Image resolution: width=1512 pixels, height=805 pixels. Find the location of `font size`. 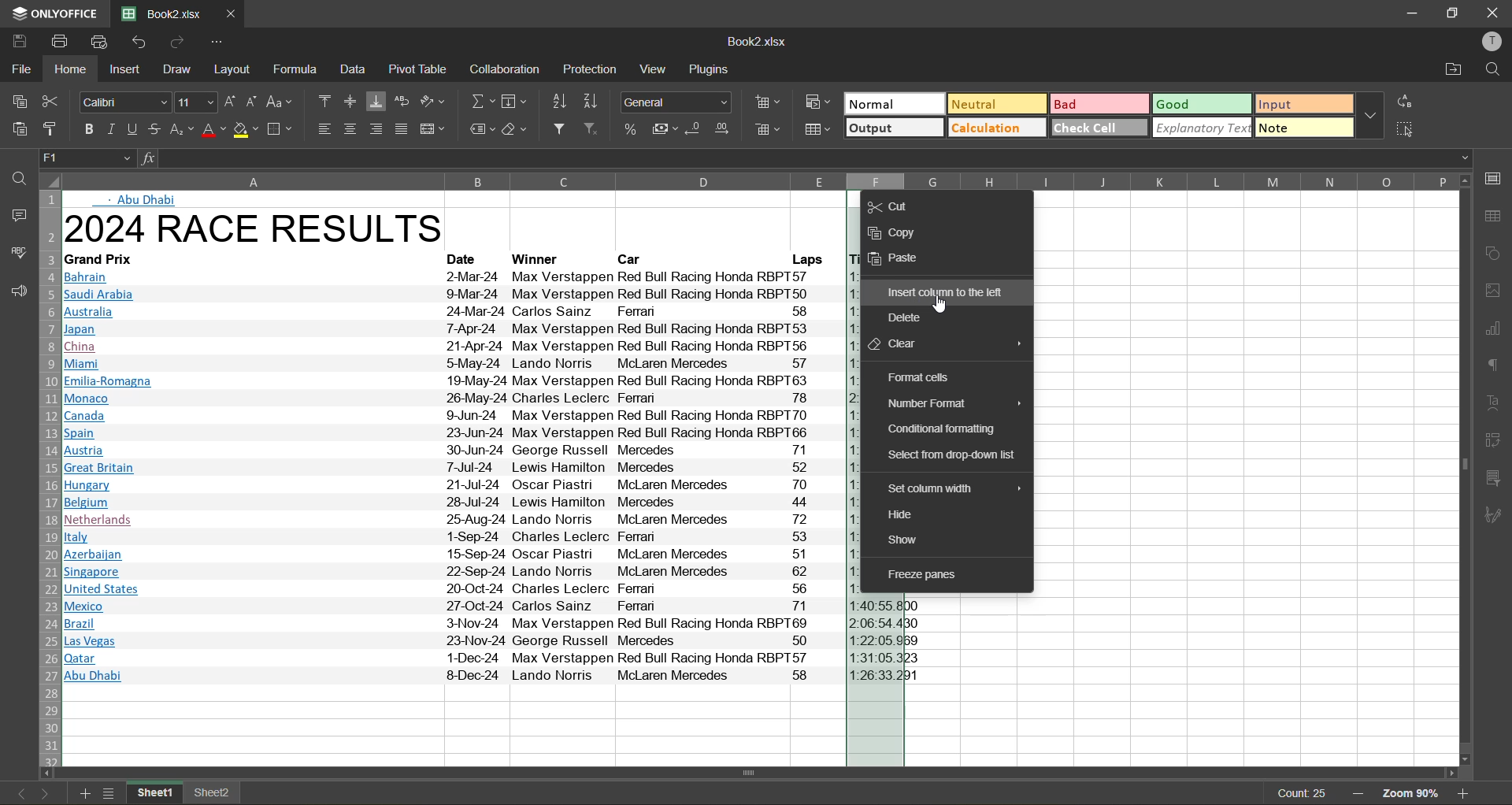

font size is located at coordinates (198, 102).